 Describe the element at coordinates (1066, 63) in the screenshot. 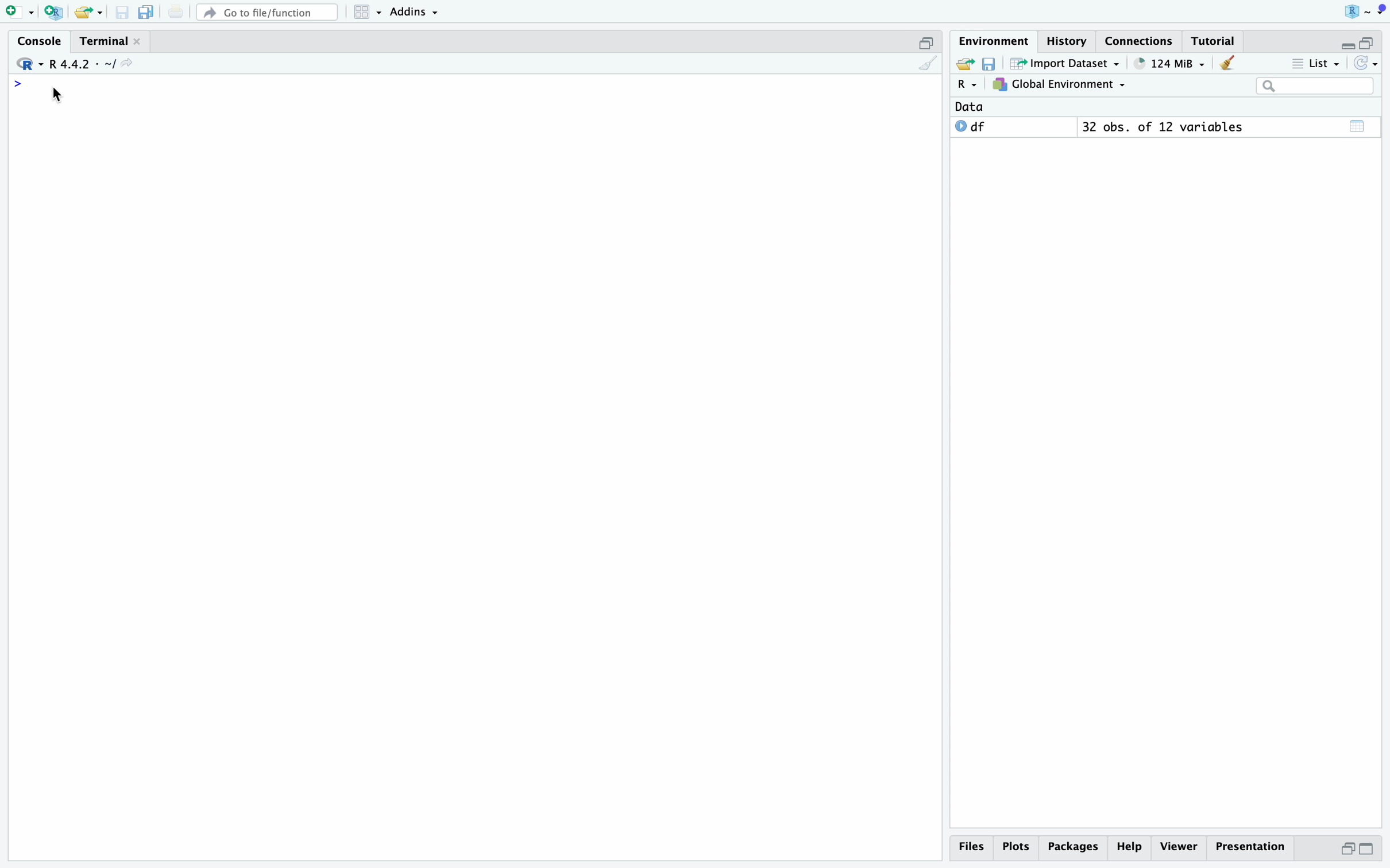

I see `Import datasets` at that location.